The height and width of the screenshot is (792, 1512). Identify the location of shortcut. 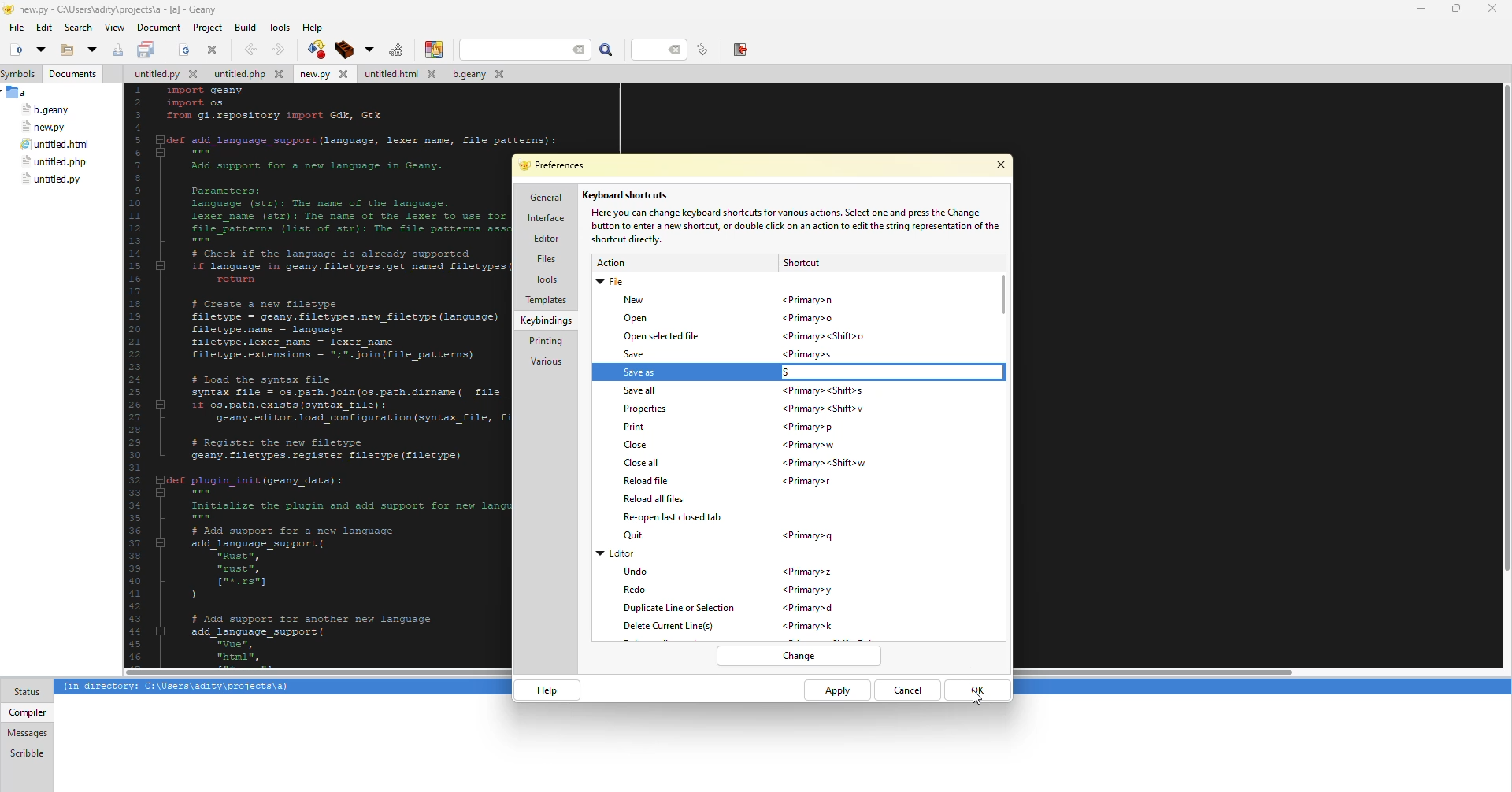
(825, 463).